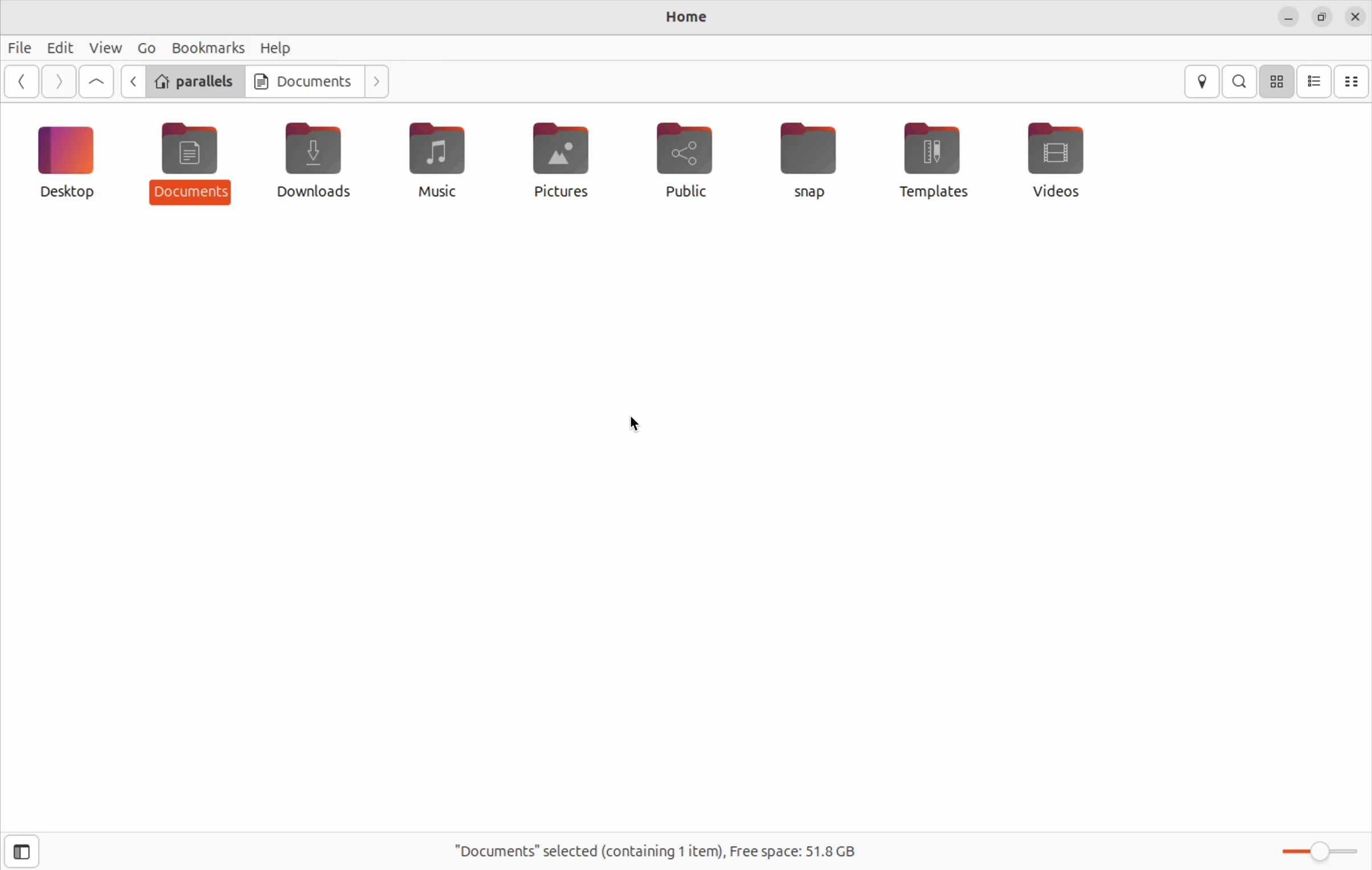 This screenshot has width=1372, height=870. I want to click on list view, so click(1316, 81).